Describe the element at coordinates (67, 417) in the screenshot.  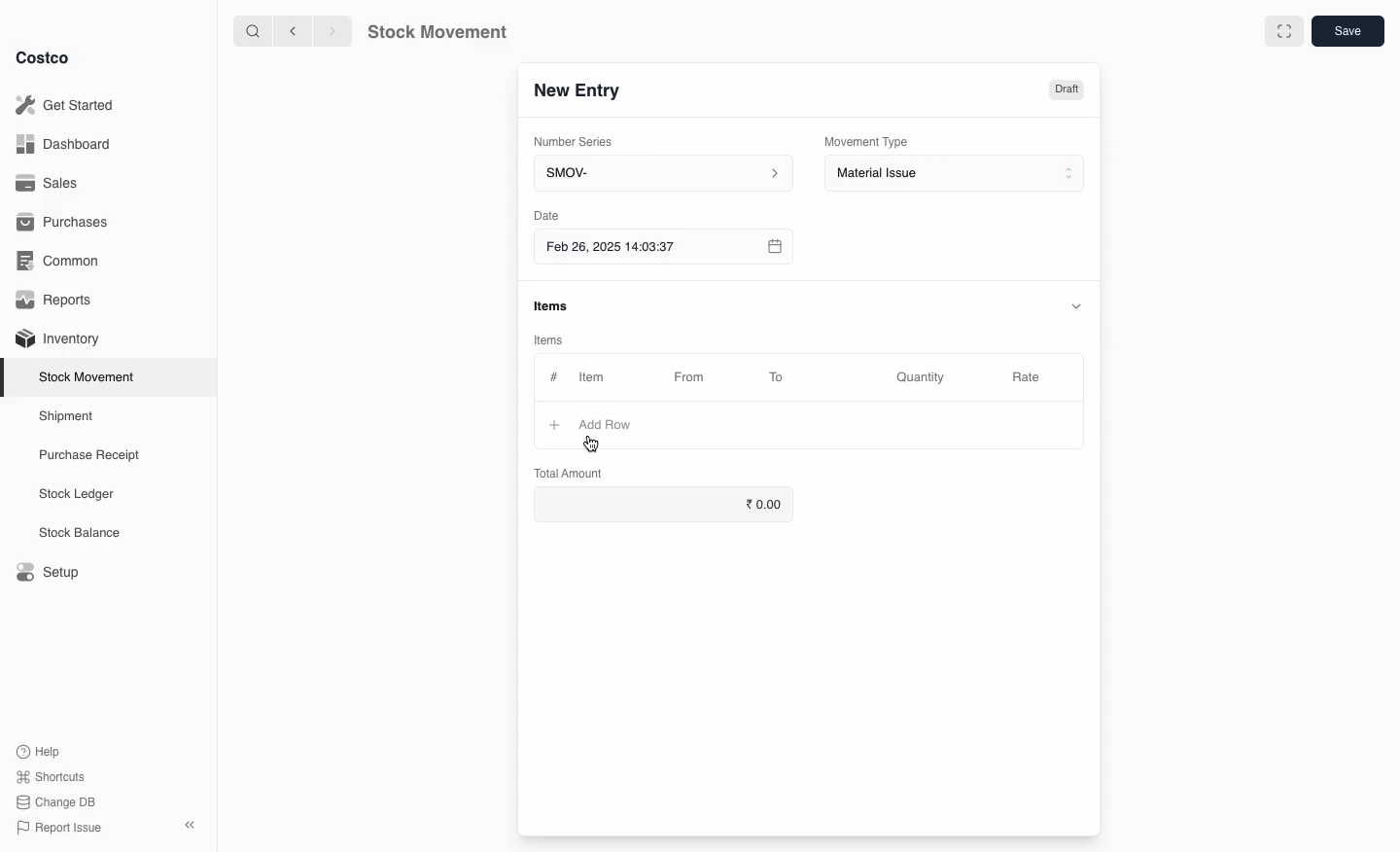
I see `Shipment` at that location.